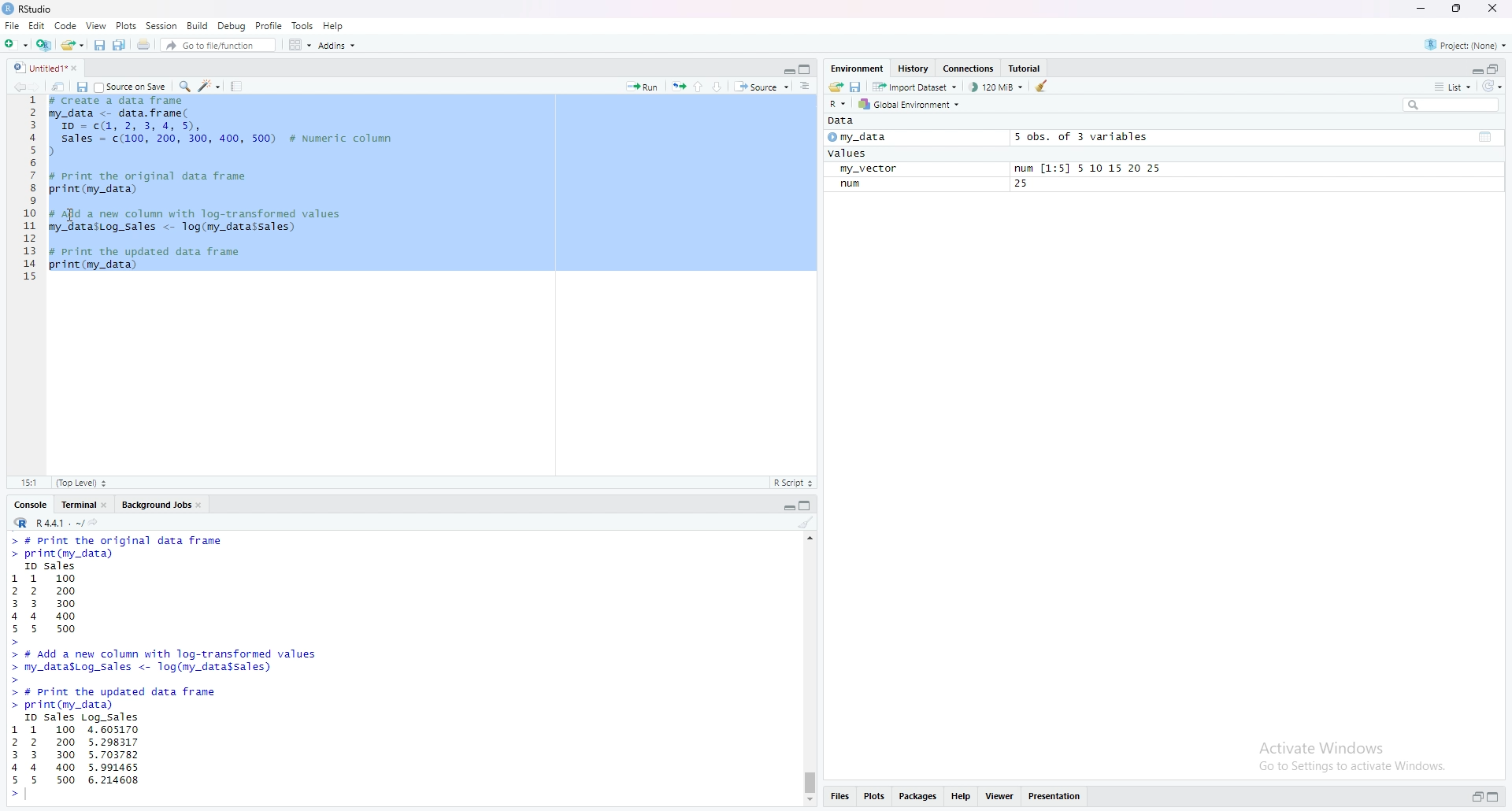  Describe the element at coordinates (76, 505) in the screenshot. I see `terminal` at that location.